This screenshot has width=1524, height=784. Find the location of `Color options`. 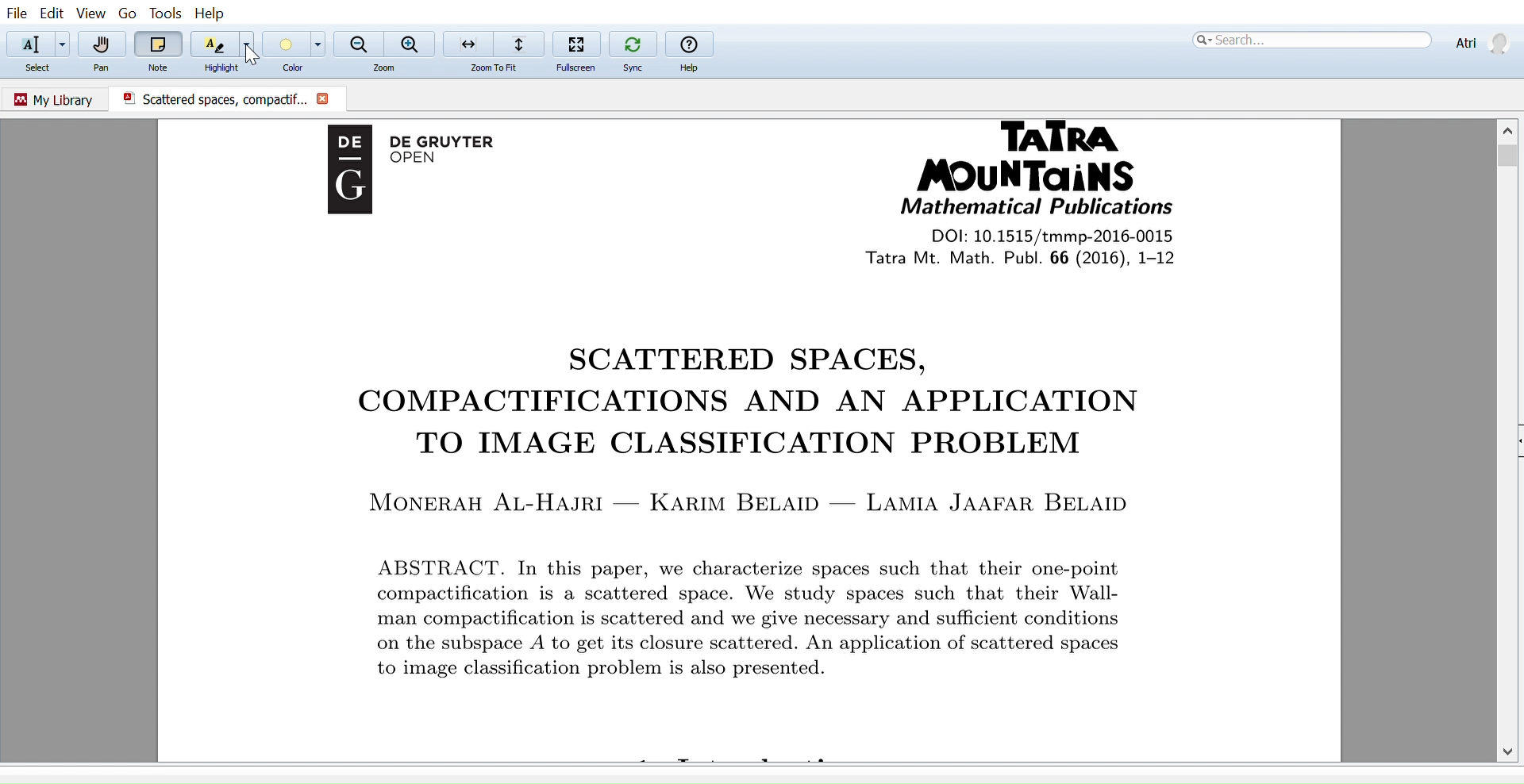

Color options is located at coordinates (320, 44).